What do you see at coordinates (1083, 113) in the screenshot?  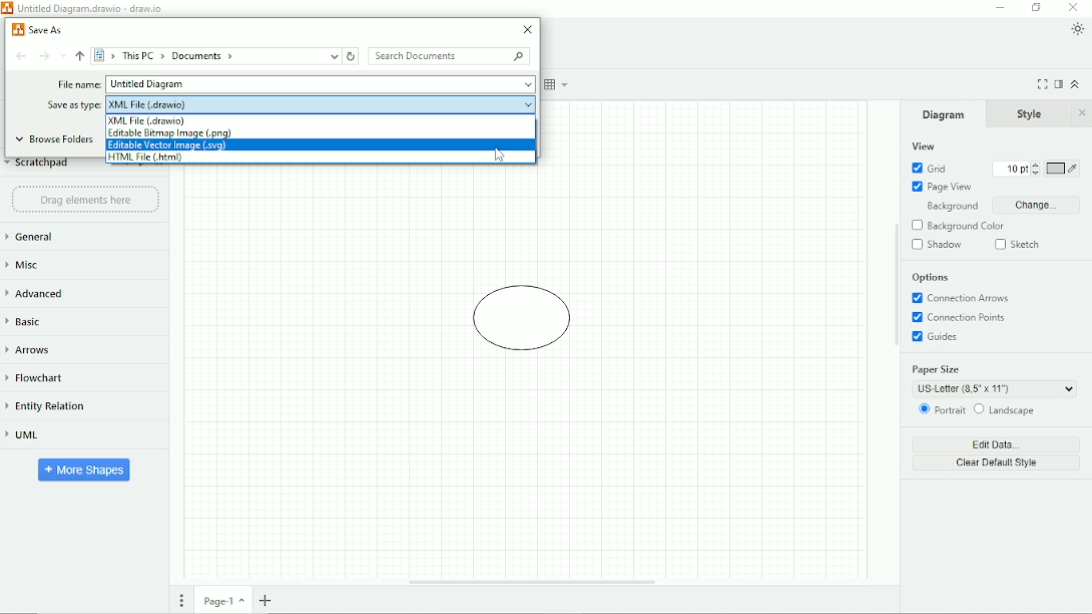 I see `Close` at bounding box center [1083, 113].